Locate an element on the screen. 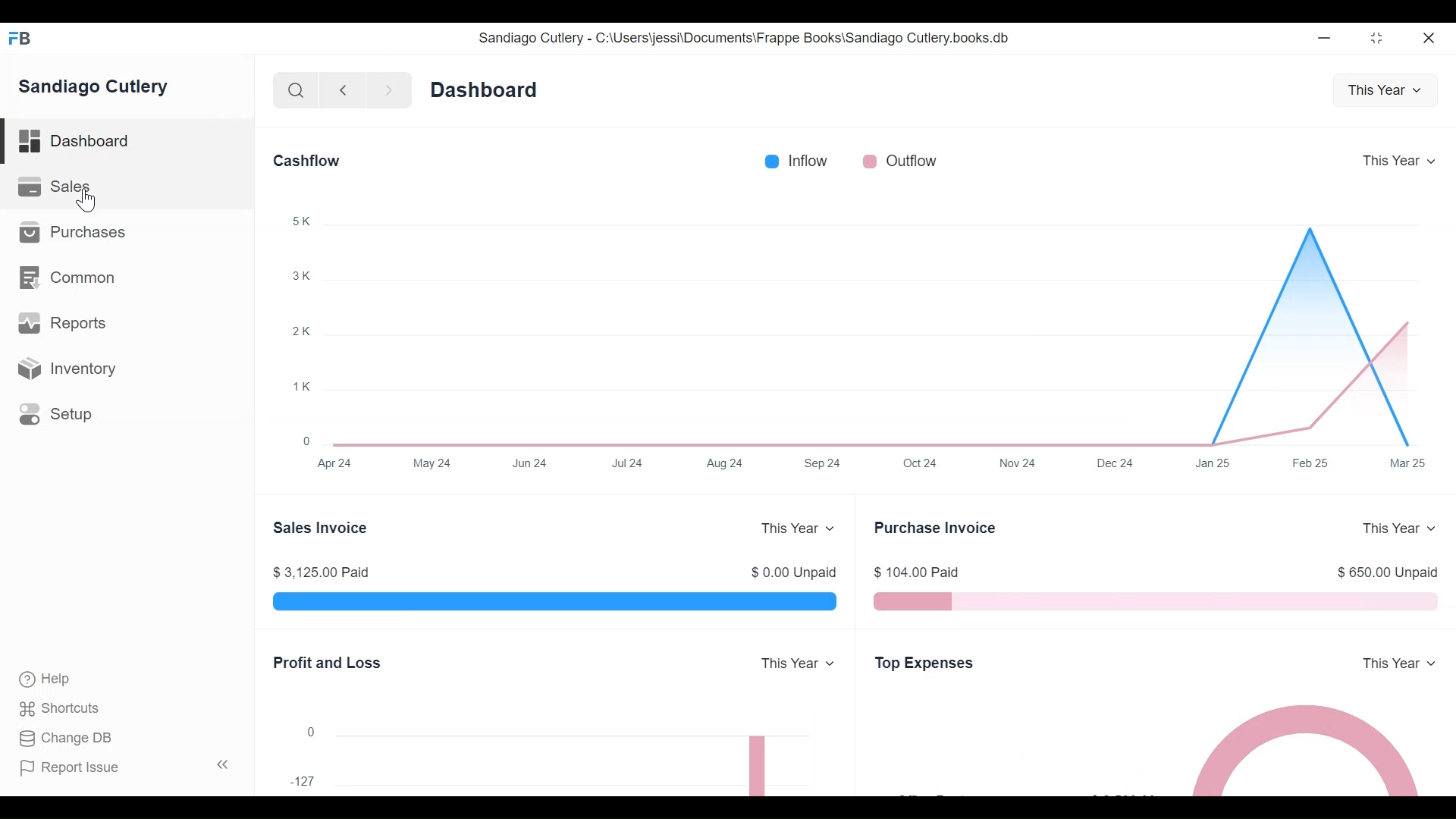  Bar  is located at coordinates (1155, 601).